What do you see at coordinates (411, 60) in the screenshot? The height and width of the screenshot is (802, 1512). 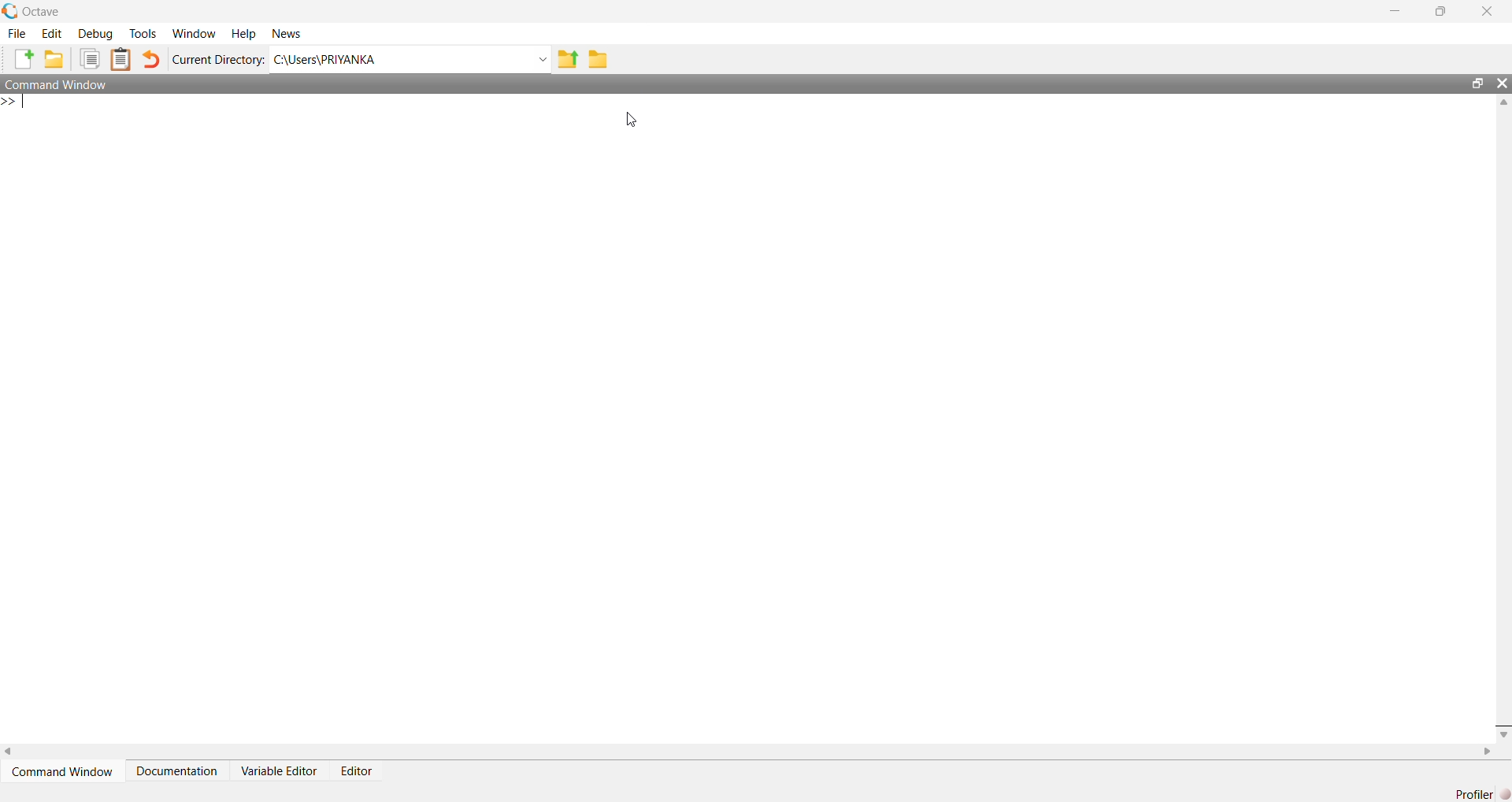 I see `C:\Users\PRIYANKA` at bounding box center [411, 60].